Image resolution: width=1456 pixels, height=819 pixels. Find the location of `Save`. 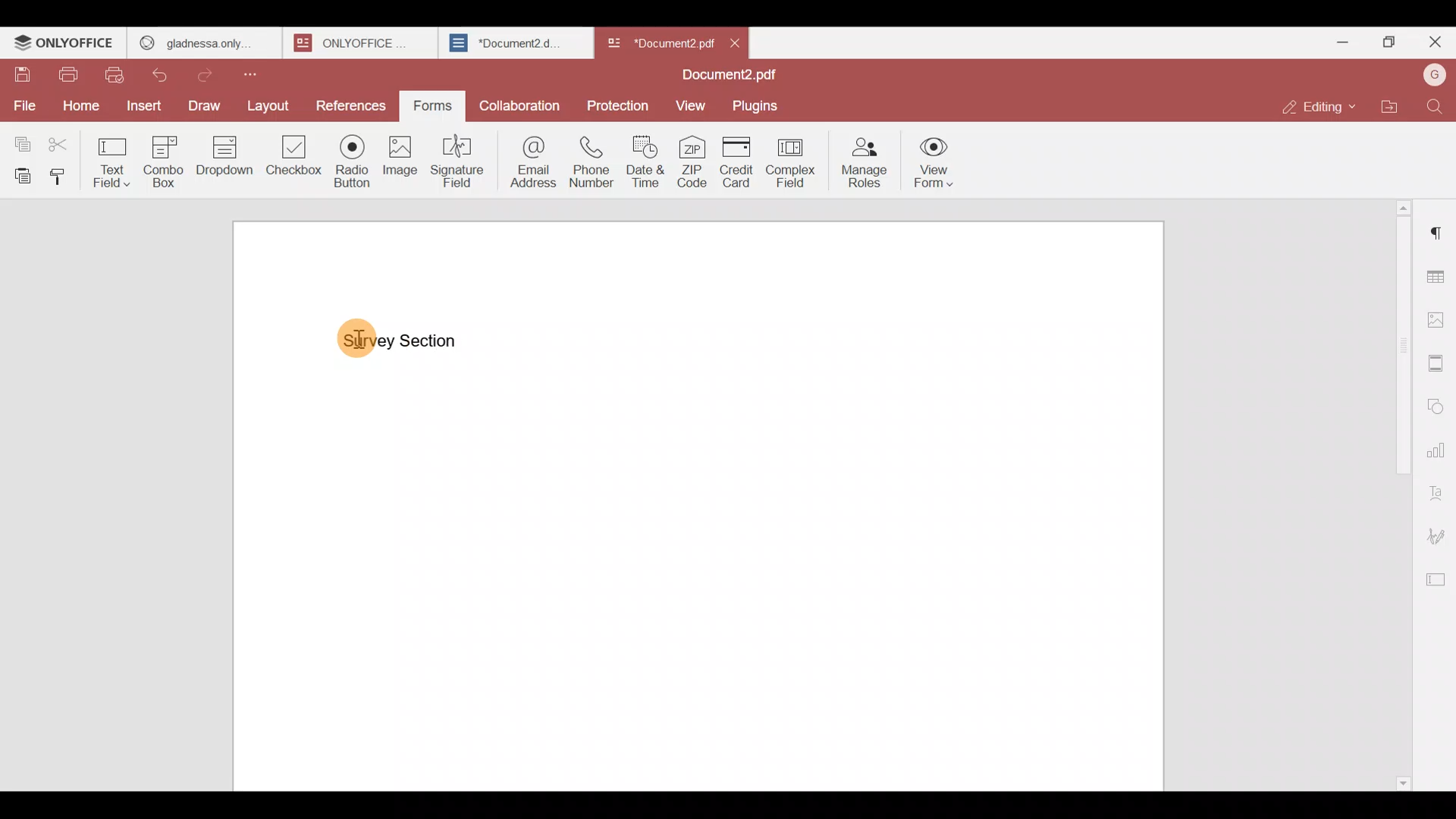

Save is located at coordinates (15, 69).